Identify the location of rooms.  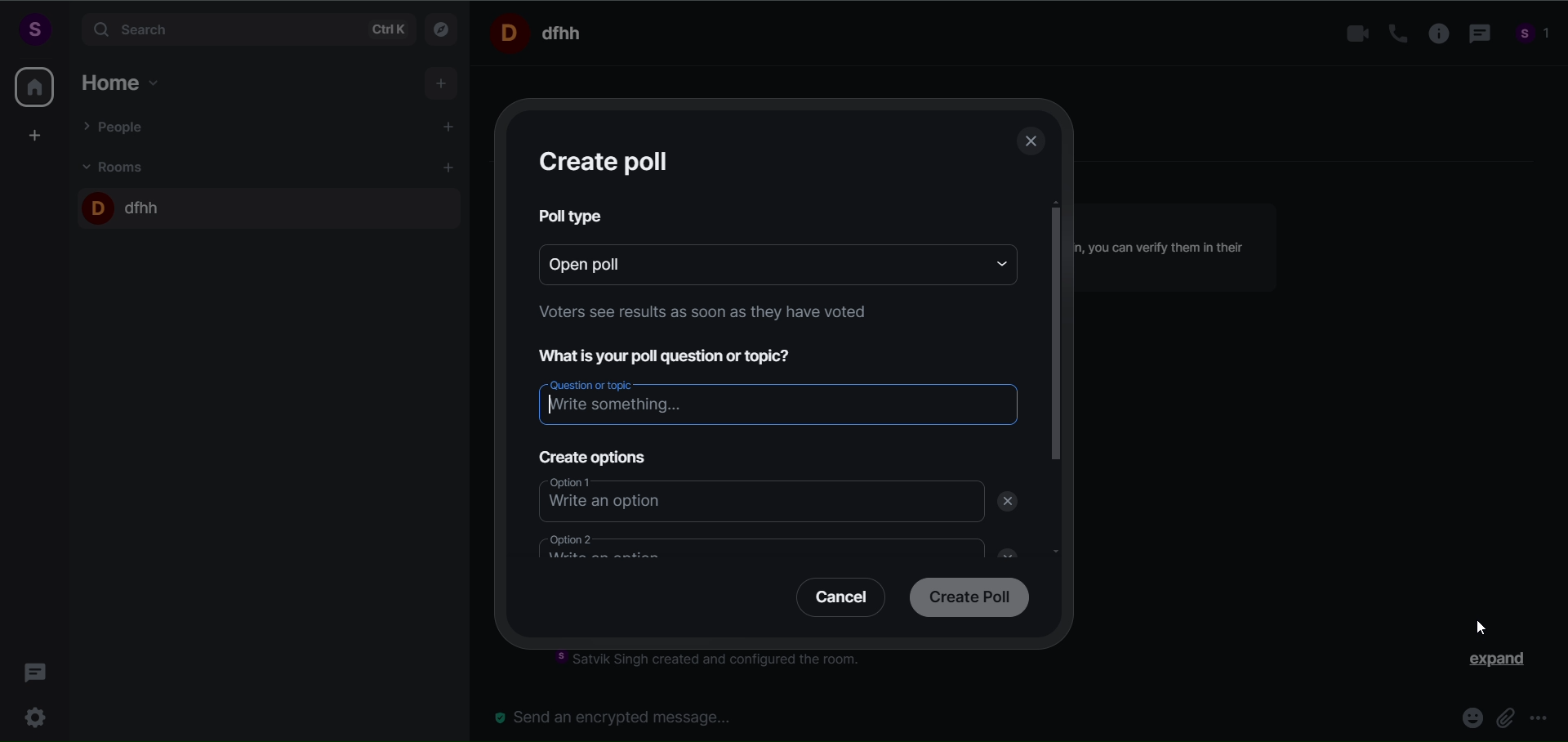
(118, 166).